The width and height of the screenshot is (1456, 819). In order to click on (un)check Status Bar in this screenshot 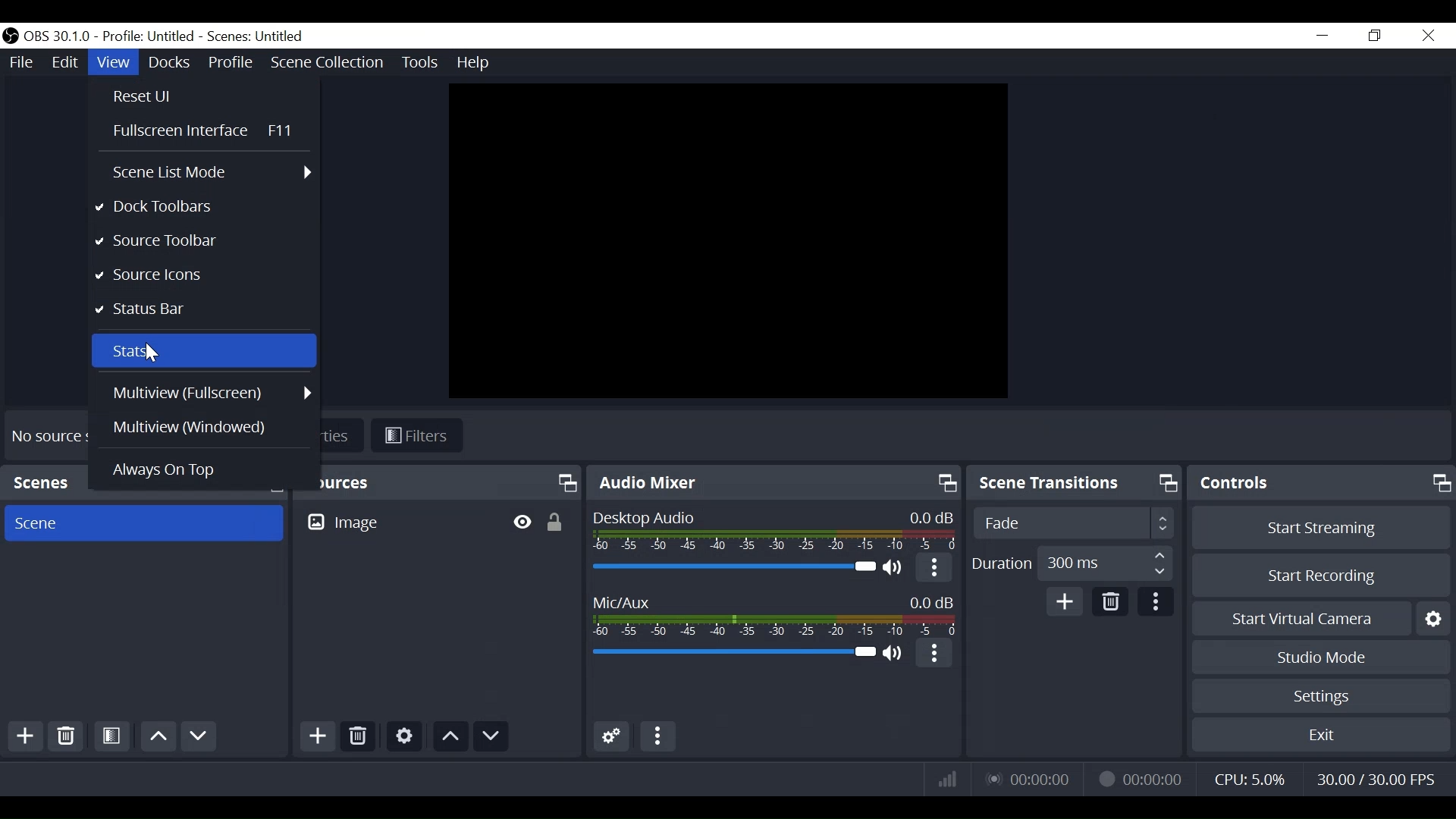, I will do `click(201, 309)`.